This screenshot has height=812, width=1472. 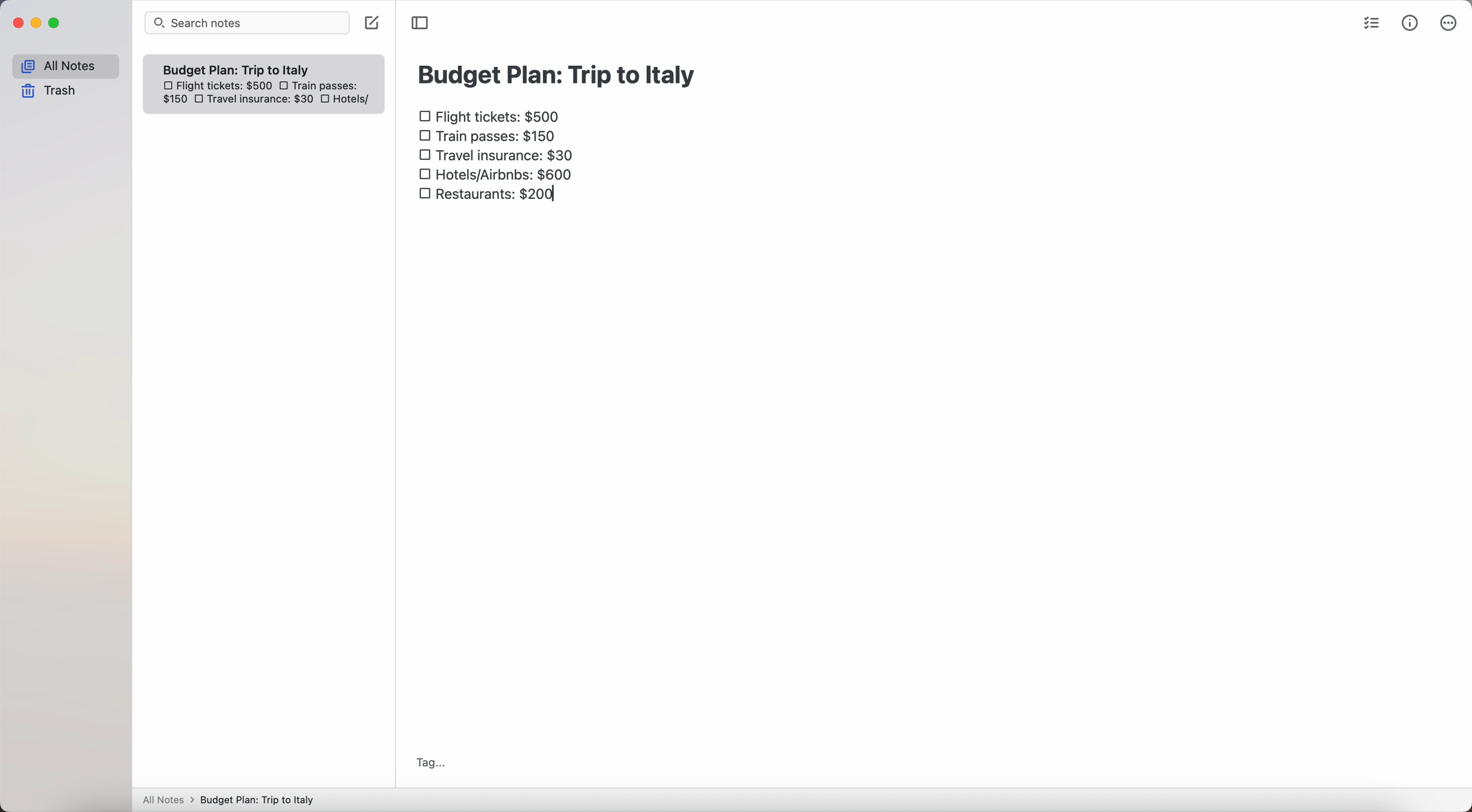 I want to click on travel insurance: $30 checkbox, so click(x=498, y=155).